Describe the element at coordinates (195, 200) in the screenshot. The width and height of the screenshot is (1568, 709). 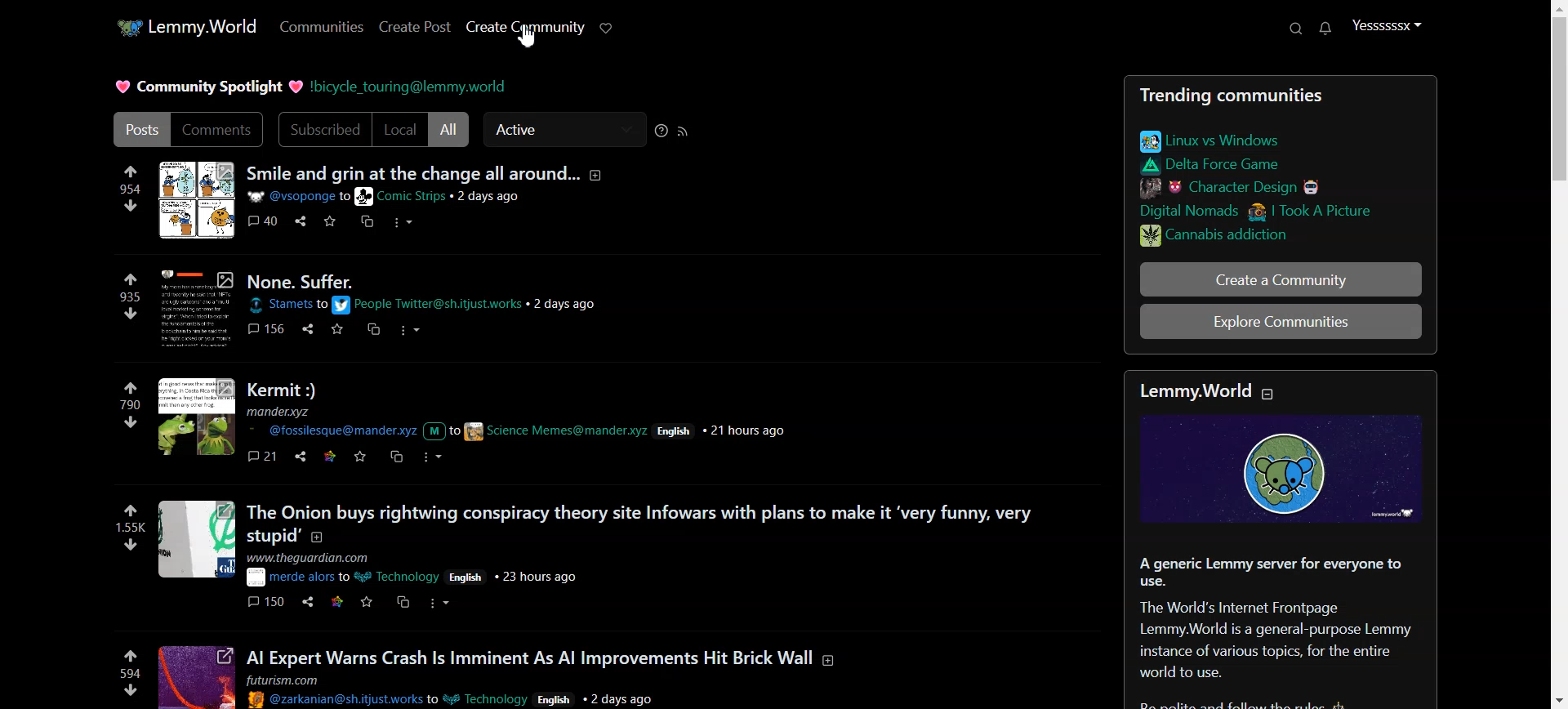
I see `mage` at that location.